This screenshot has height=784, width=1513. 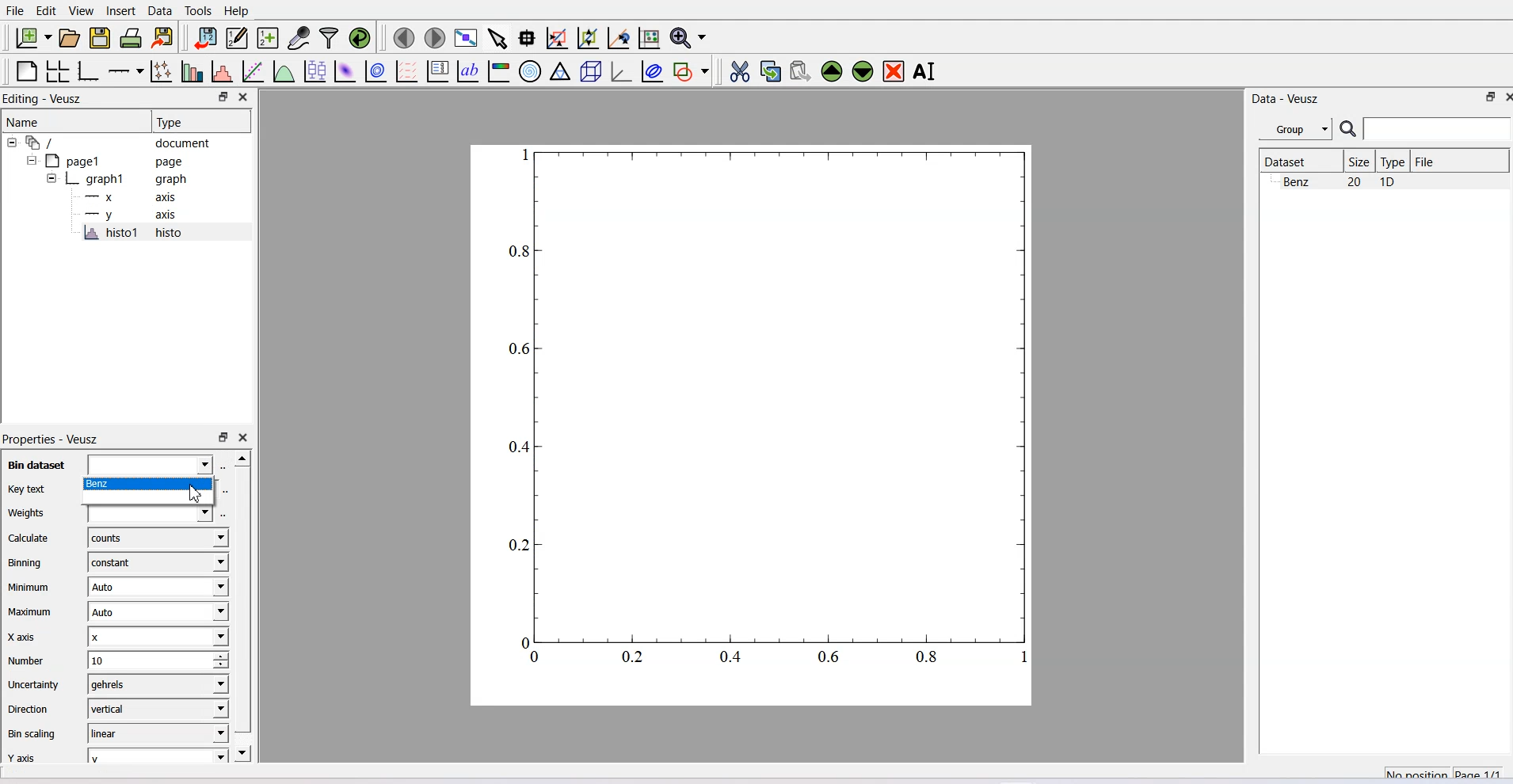 I want to click on Filter Data, so click(x=330, y=37).